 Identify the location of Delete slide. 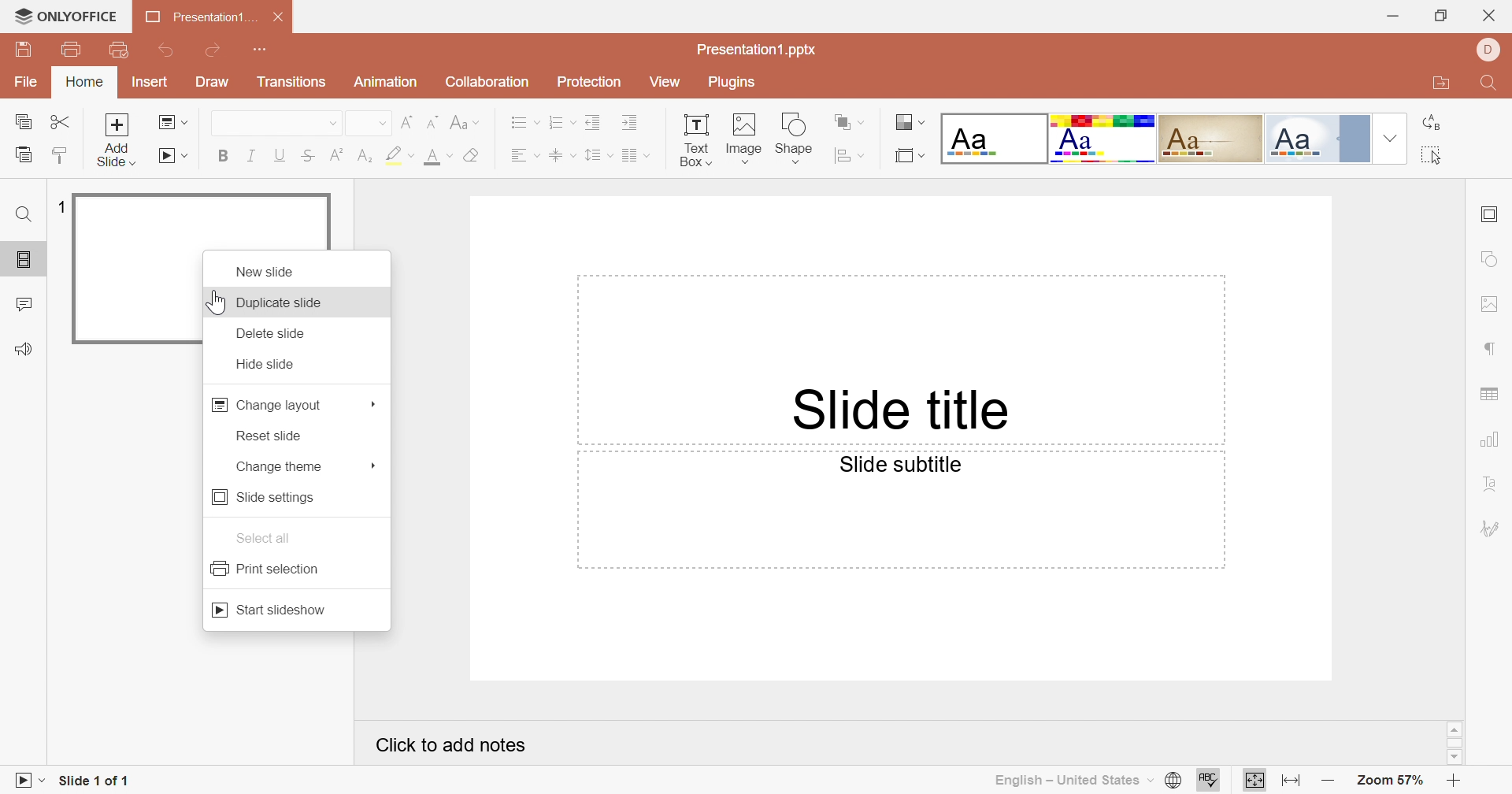
(272, 333).